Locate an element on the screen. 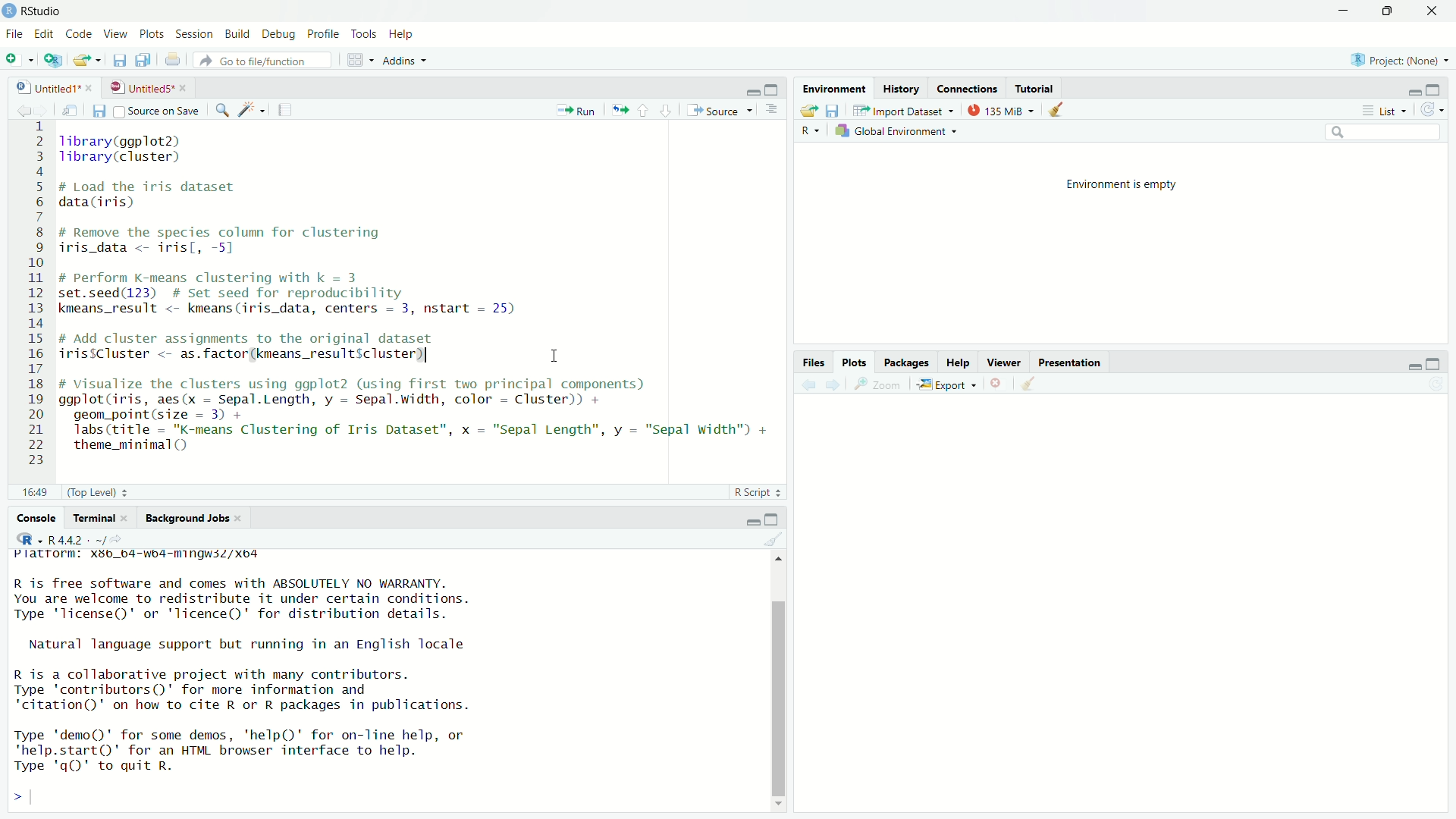  History is located at coordinates (902, 89).